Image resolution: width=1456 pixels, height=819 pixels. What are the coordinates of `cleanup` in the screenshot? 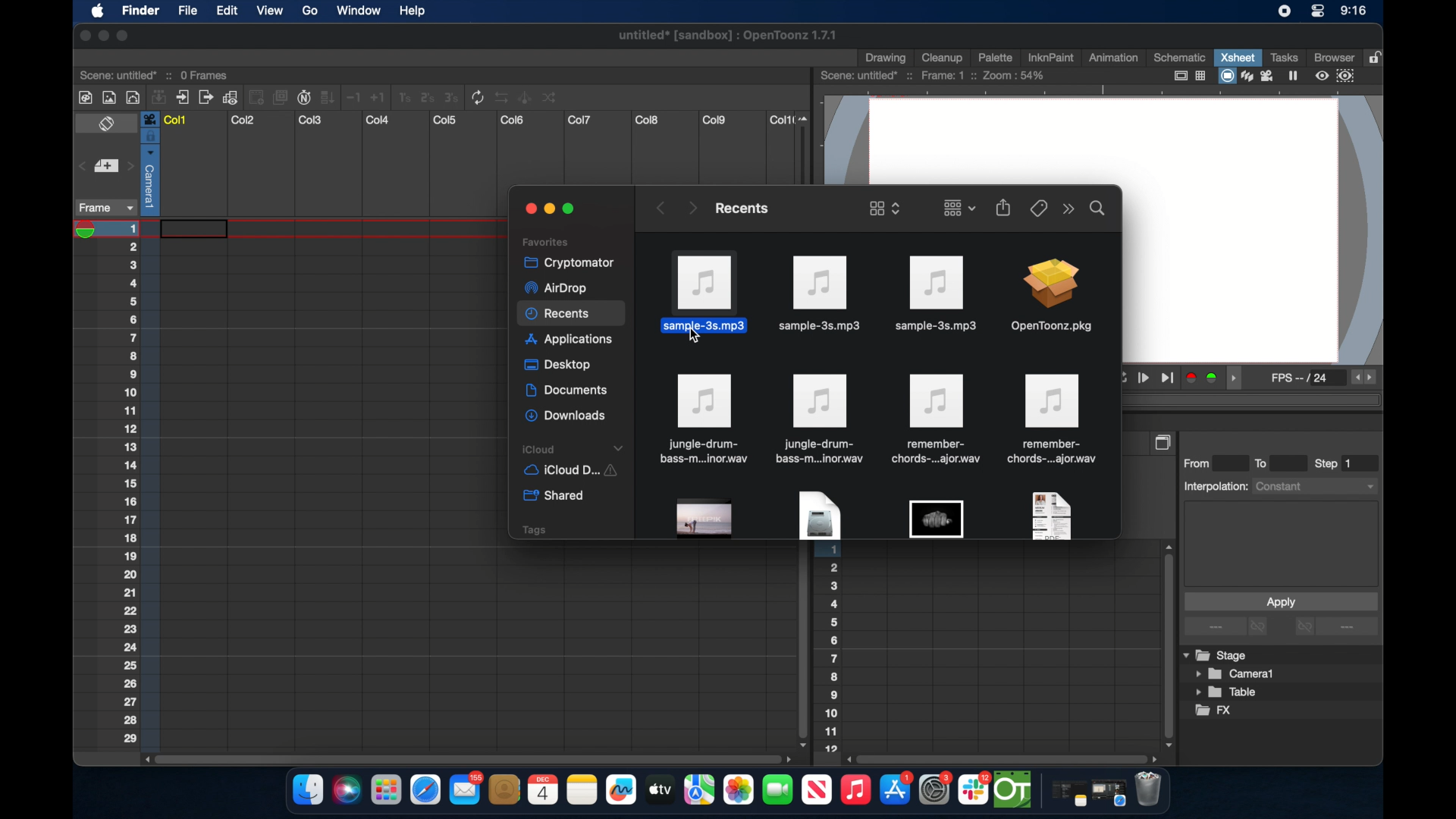 It's located at (943, 56).